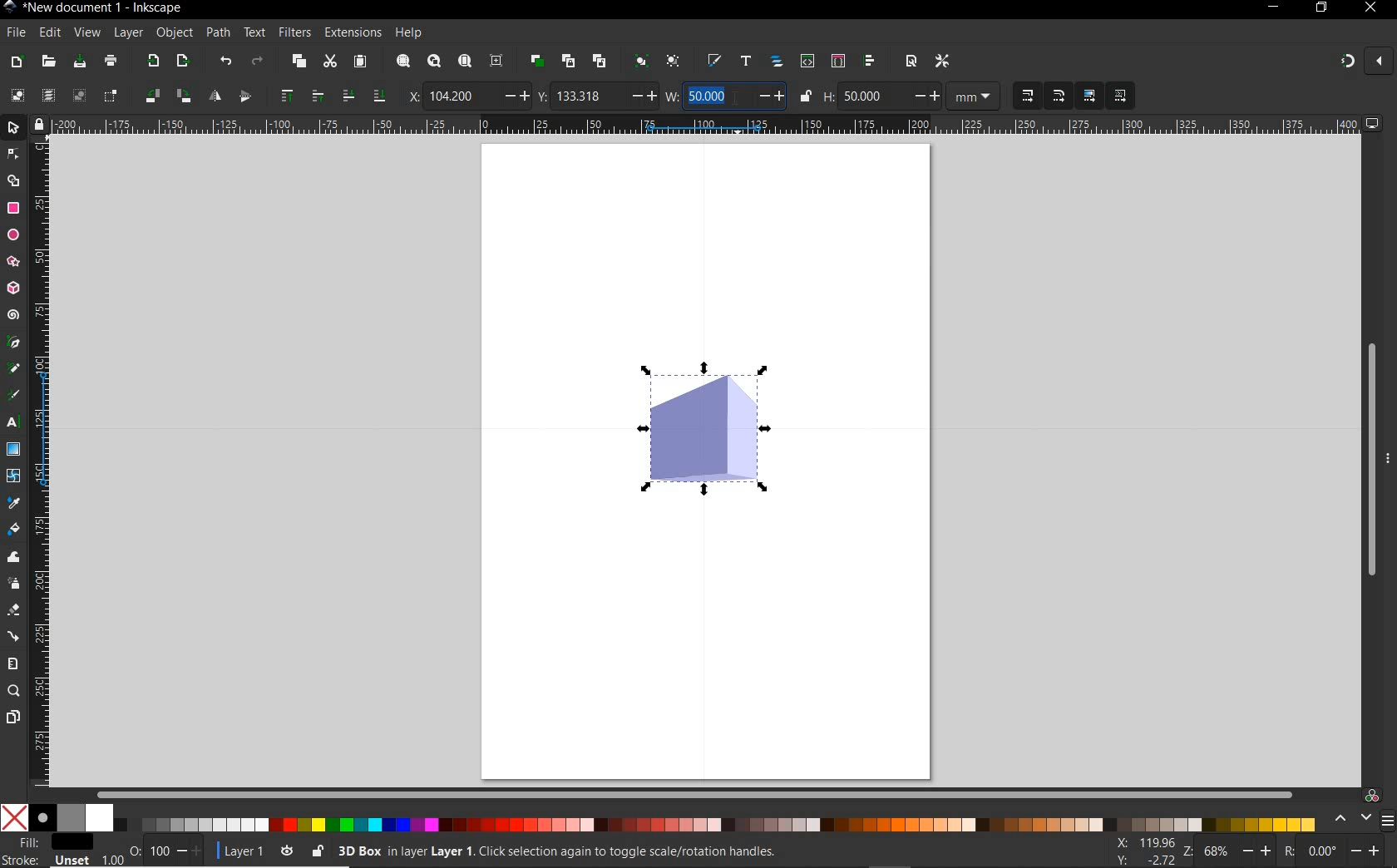 The width and height of the screenshot is (1397, 868). I want to click on lower selection, so click(380, 96).